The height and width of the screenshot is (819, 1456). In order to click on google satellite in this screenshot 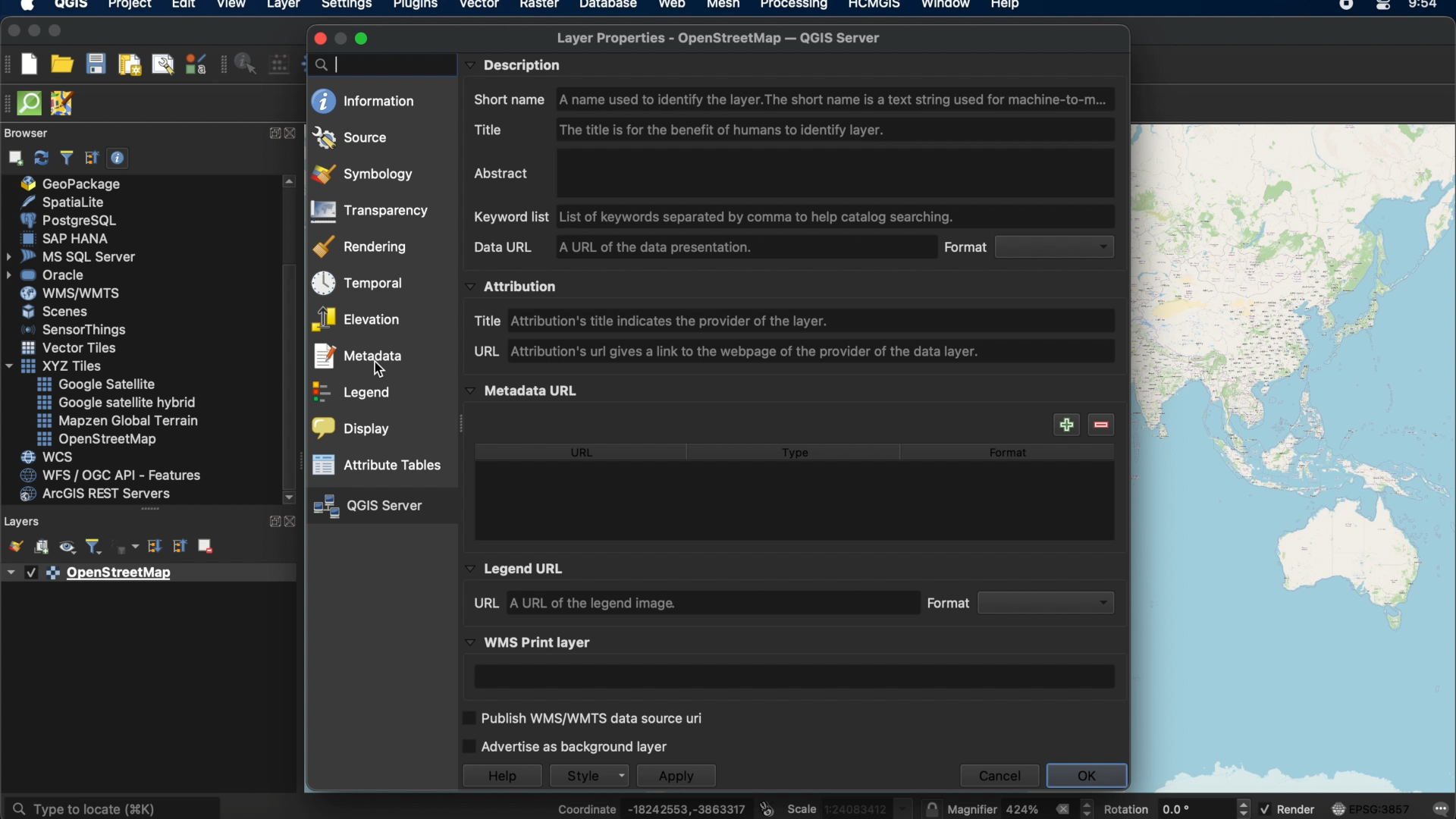, I will do `click(102, 384)`.